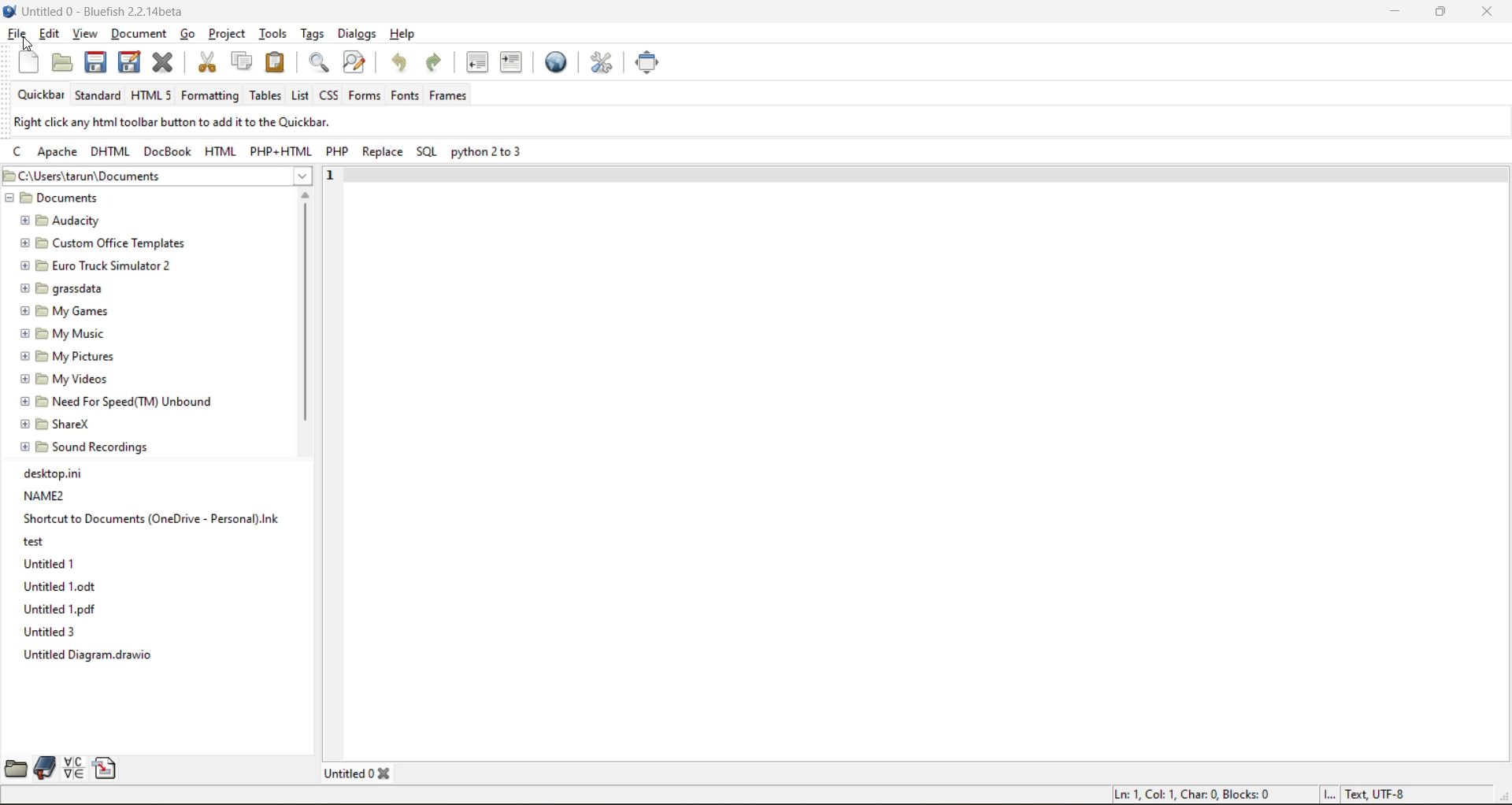 This screenshot has width=1512, height=805. What do you see at coordinates (141, 176) in the screenshot?
I see `file location` at bounding box center [141, 176].